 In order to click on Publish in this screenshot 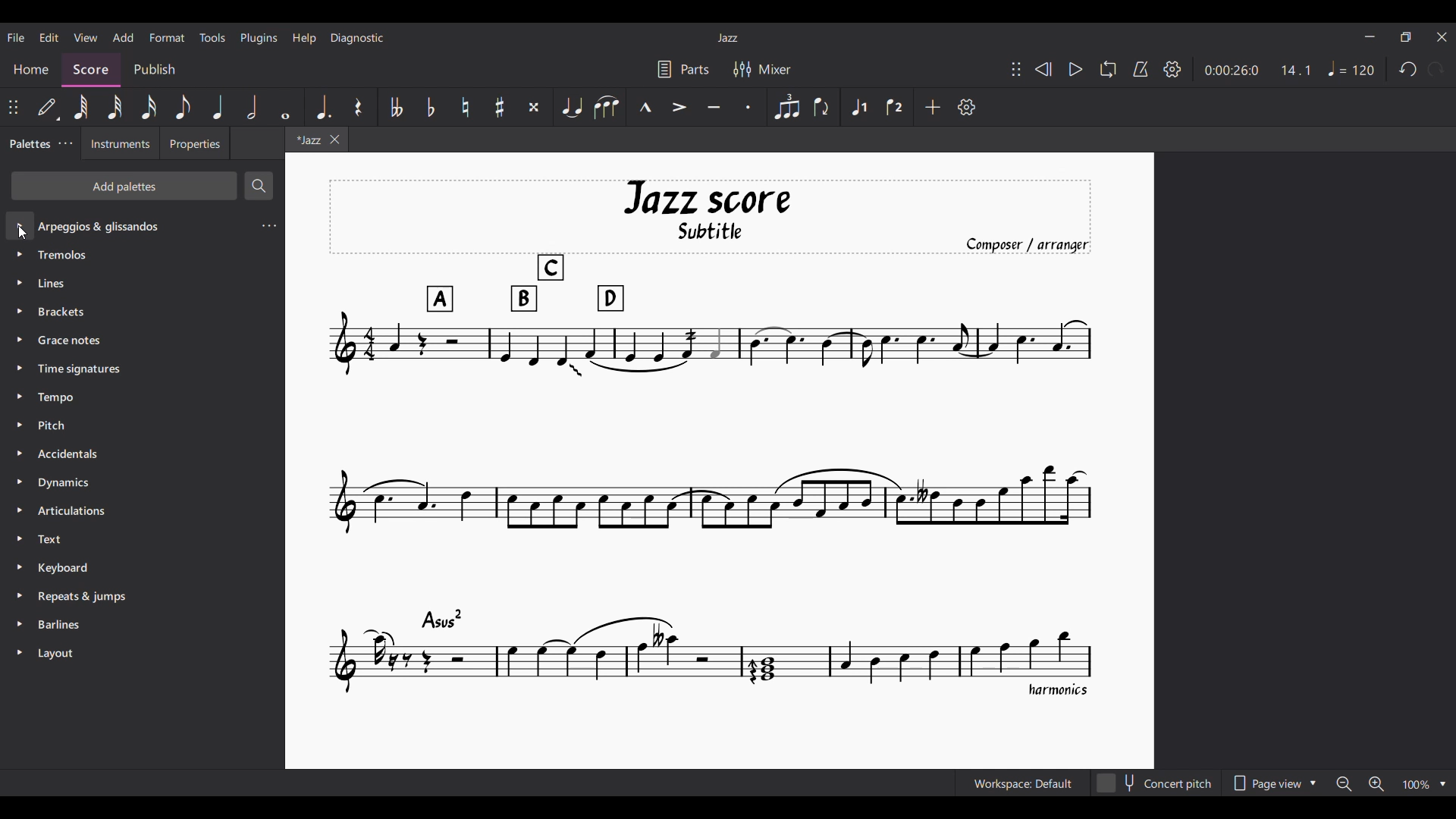, I will do `click(155, 71)`.